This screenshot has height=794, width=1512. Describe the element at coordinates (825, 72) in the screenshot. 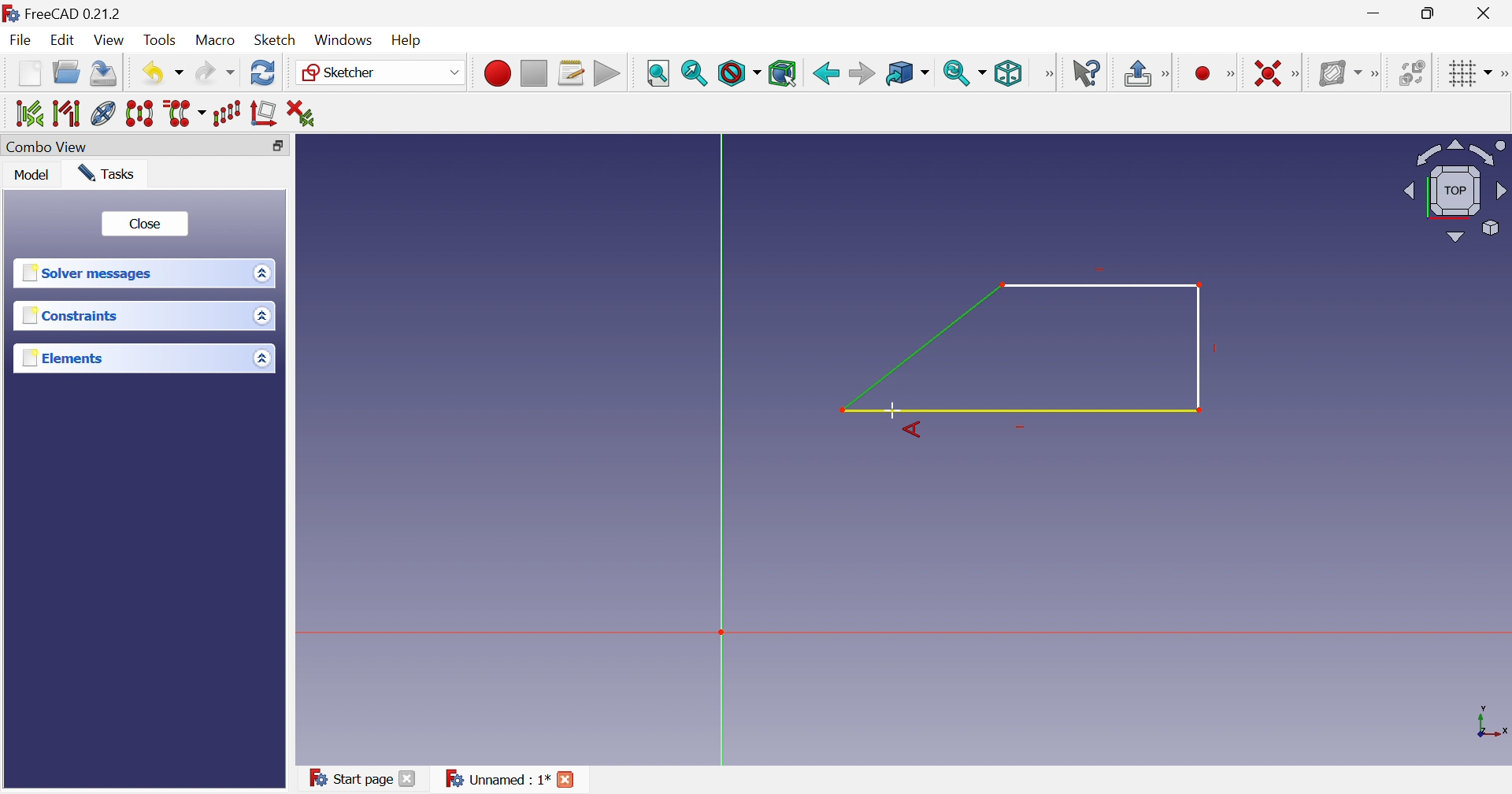

I see `Back` at that location.